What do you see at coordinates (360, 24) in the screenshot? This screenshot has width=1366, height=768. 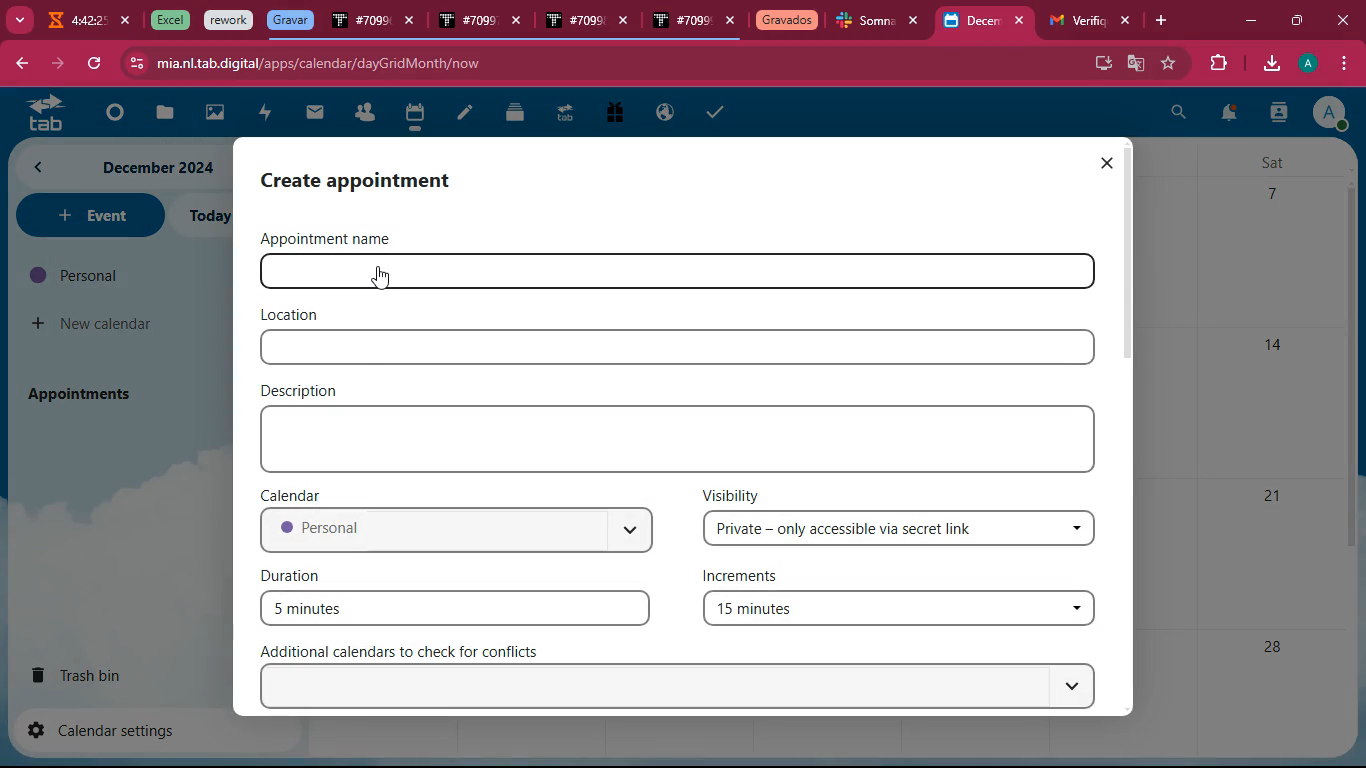 I see `tab` at bounding box center [360, 24].